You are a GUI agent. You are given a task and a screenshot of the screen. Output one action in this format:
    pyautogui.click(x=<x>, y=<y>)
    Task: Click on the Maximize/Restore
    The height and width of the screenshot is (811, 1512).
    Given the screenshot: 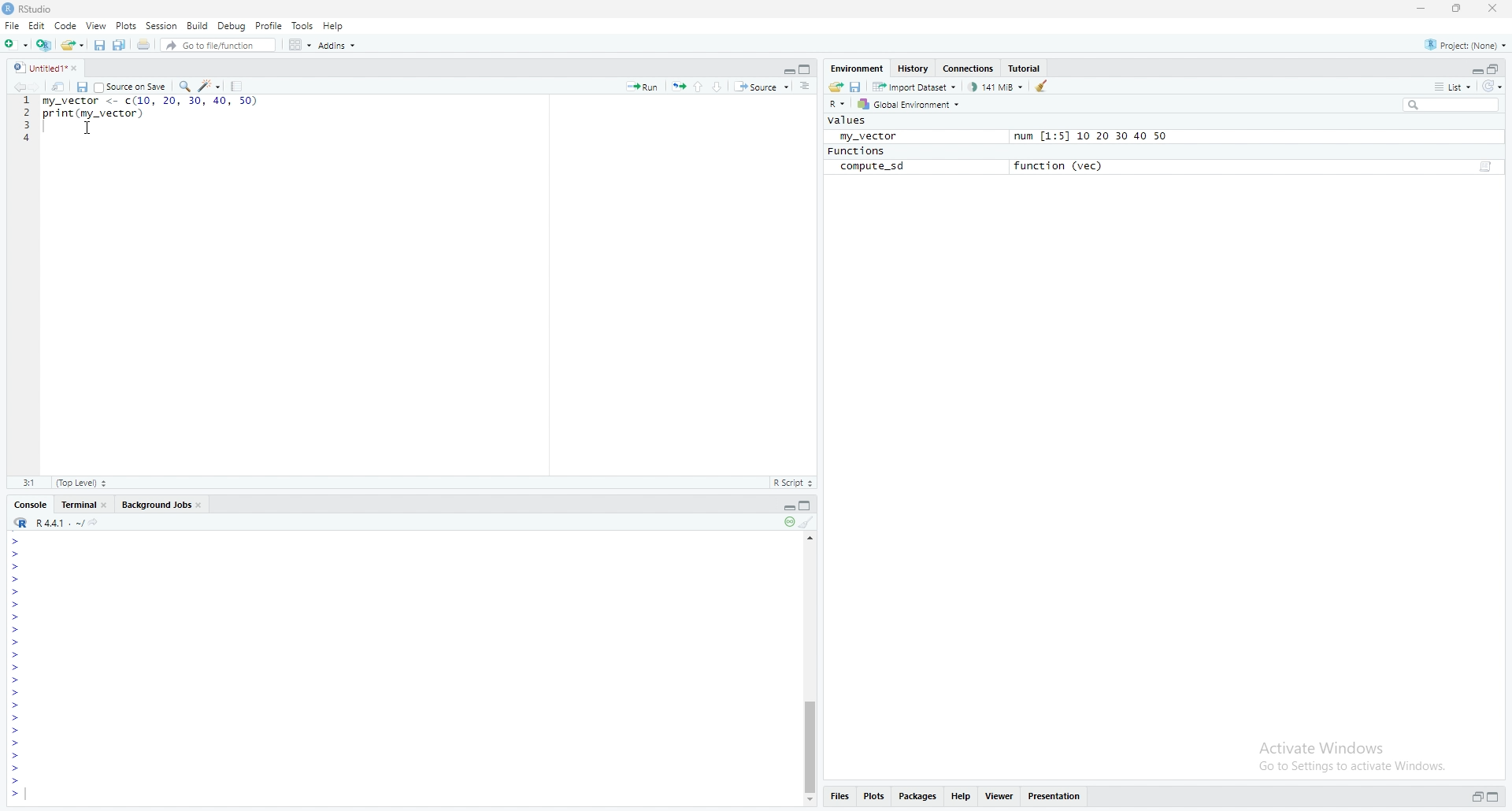 What is the action you would take?
    pyautogui.click(x=1495, y=69)
    